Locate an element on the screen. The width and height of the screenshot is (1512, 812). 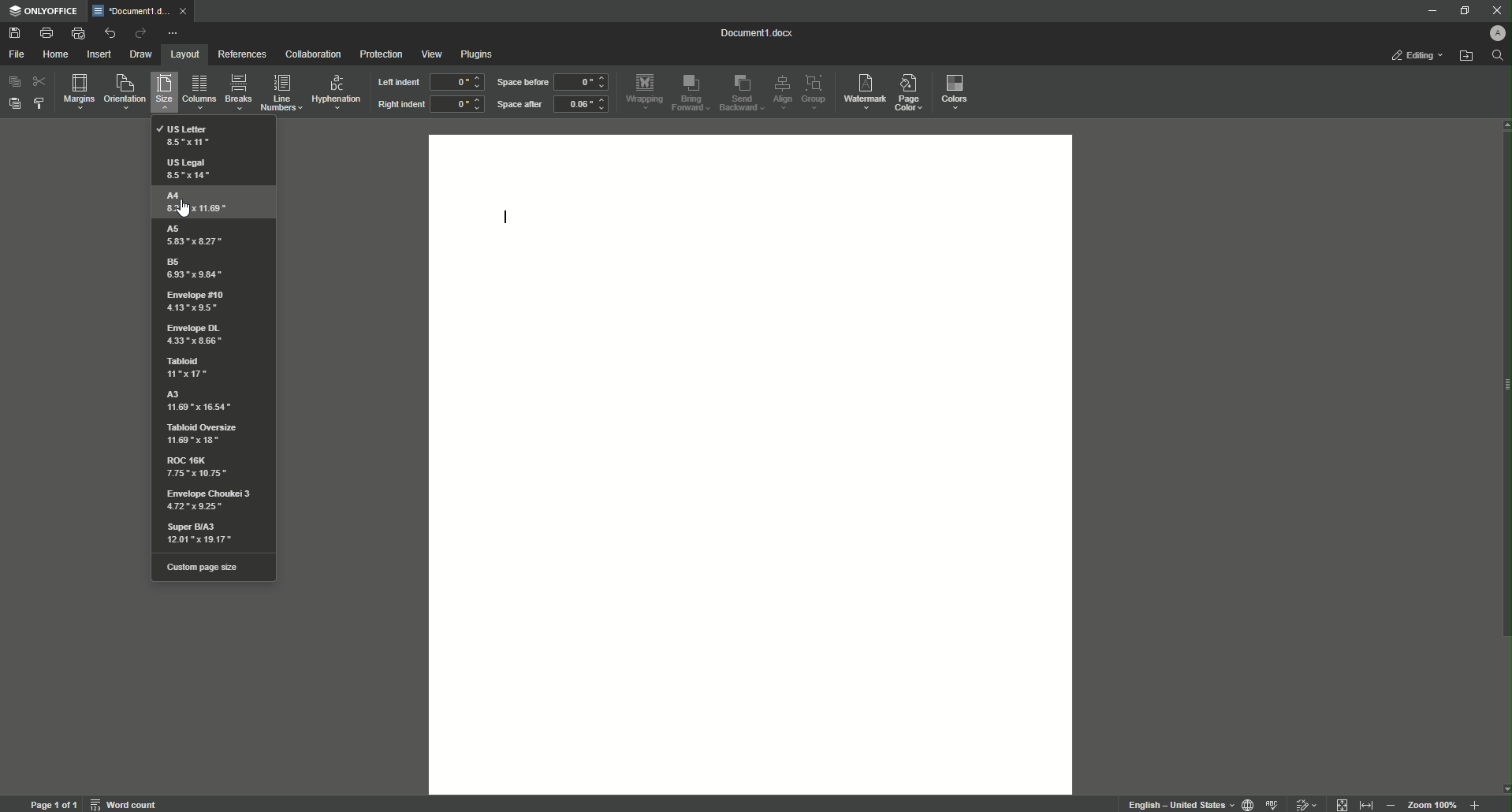
Columns is located at coordinates (199, 94).